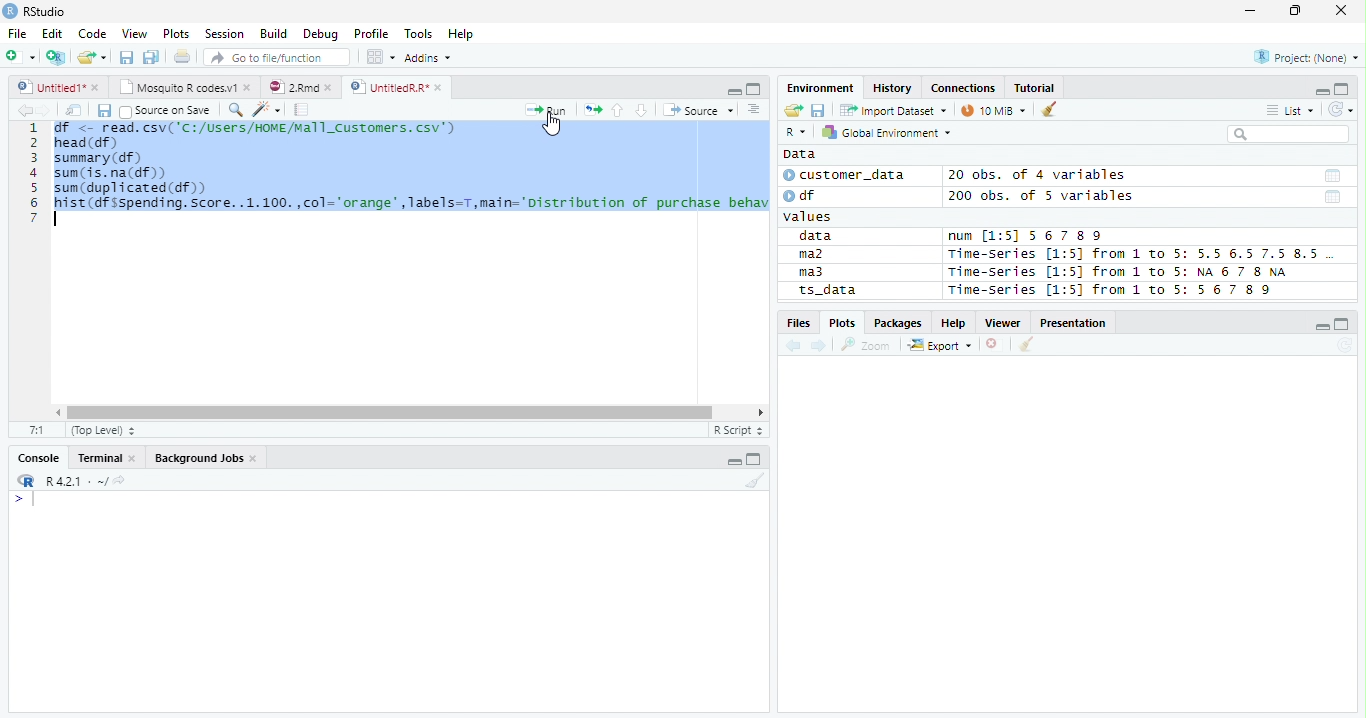  What do you see at coordinates (75, 480) in the screenshot?
I see `R 4.2.1 ~/` at bounding box center [75, 480].